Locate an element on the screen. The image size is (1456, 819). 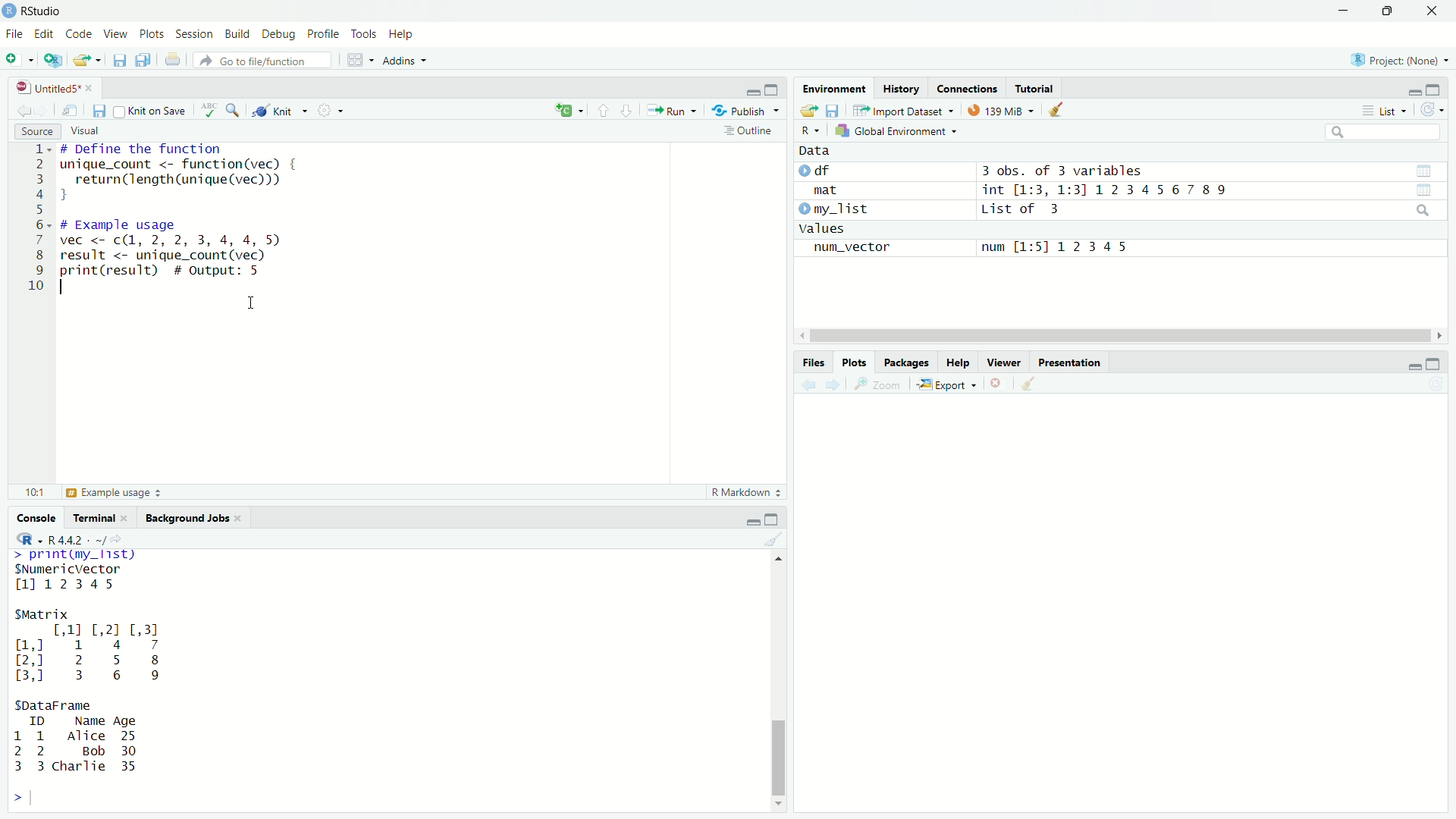
minimize is located at coordinates (1344, 11).